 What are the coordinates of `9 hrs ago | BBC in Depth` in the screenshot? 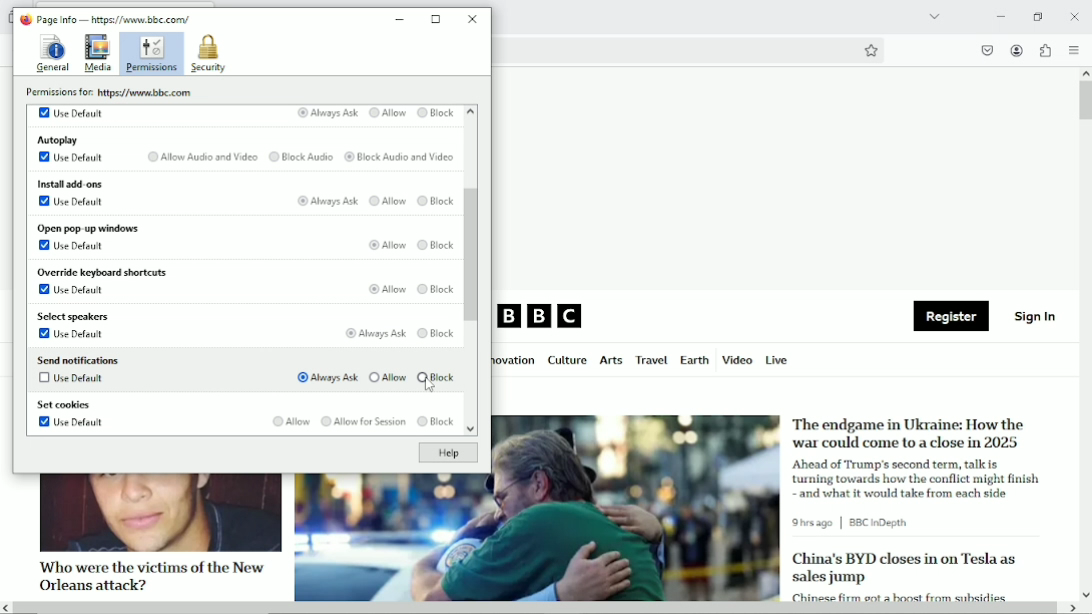 It's located at (854, 523).